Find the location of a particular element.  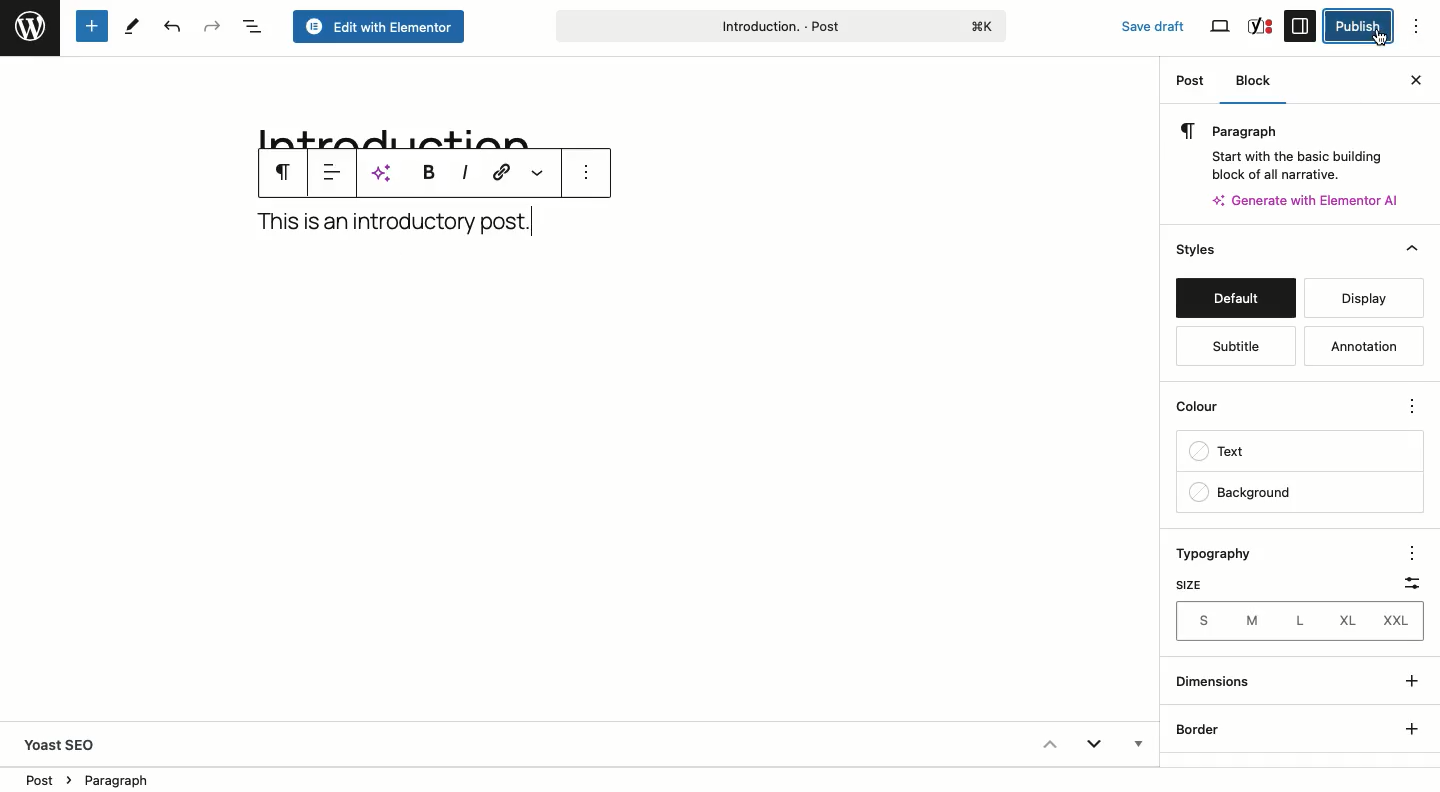

Post is located at coordinates (1192, 84).